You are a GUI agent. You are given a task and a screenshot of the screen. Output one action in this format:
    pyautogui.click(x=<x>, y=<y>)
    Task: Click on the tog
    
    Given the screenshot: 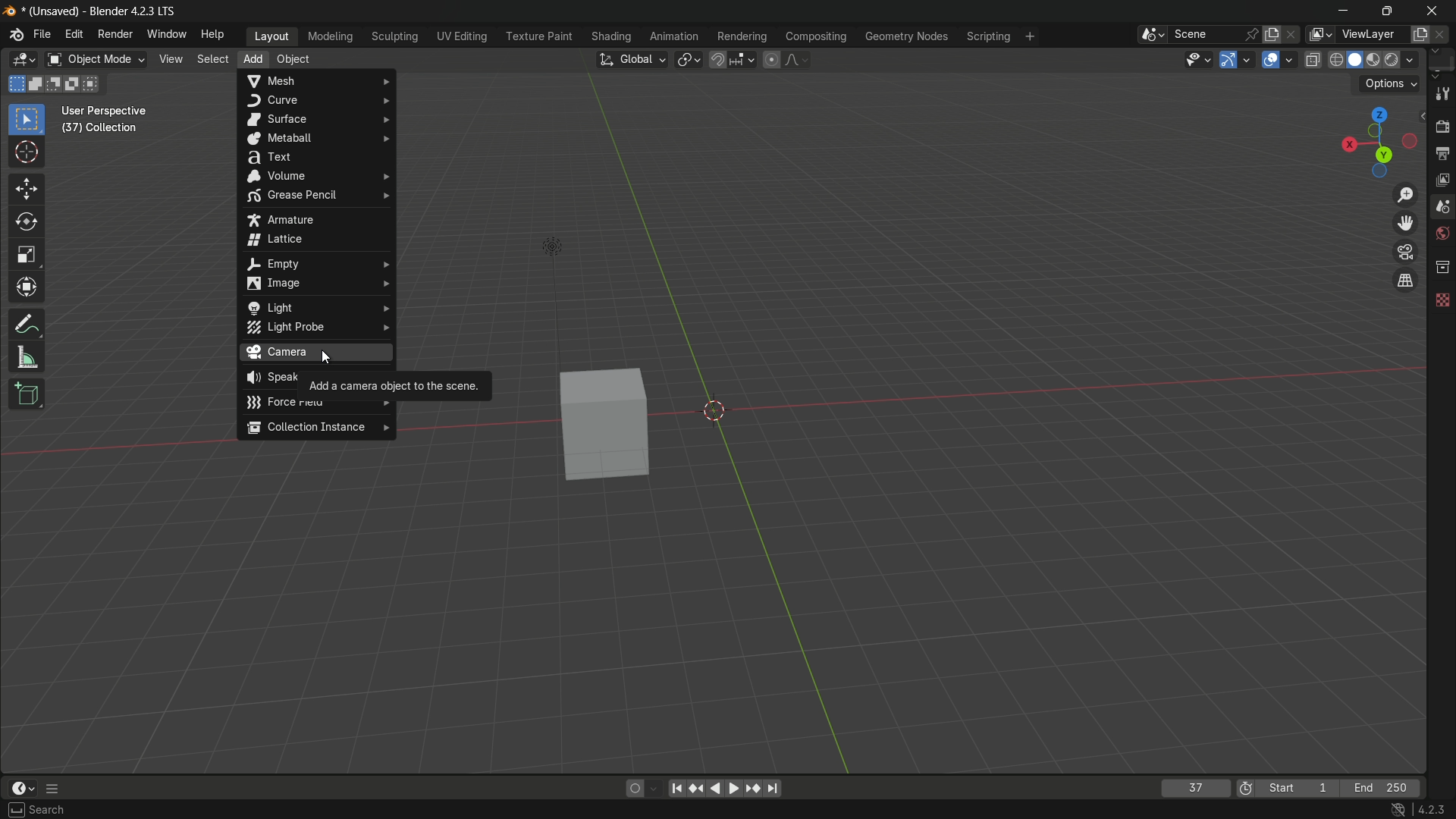 What is the action you would take?
    pyautogui.click(x=1403, y=280)
    